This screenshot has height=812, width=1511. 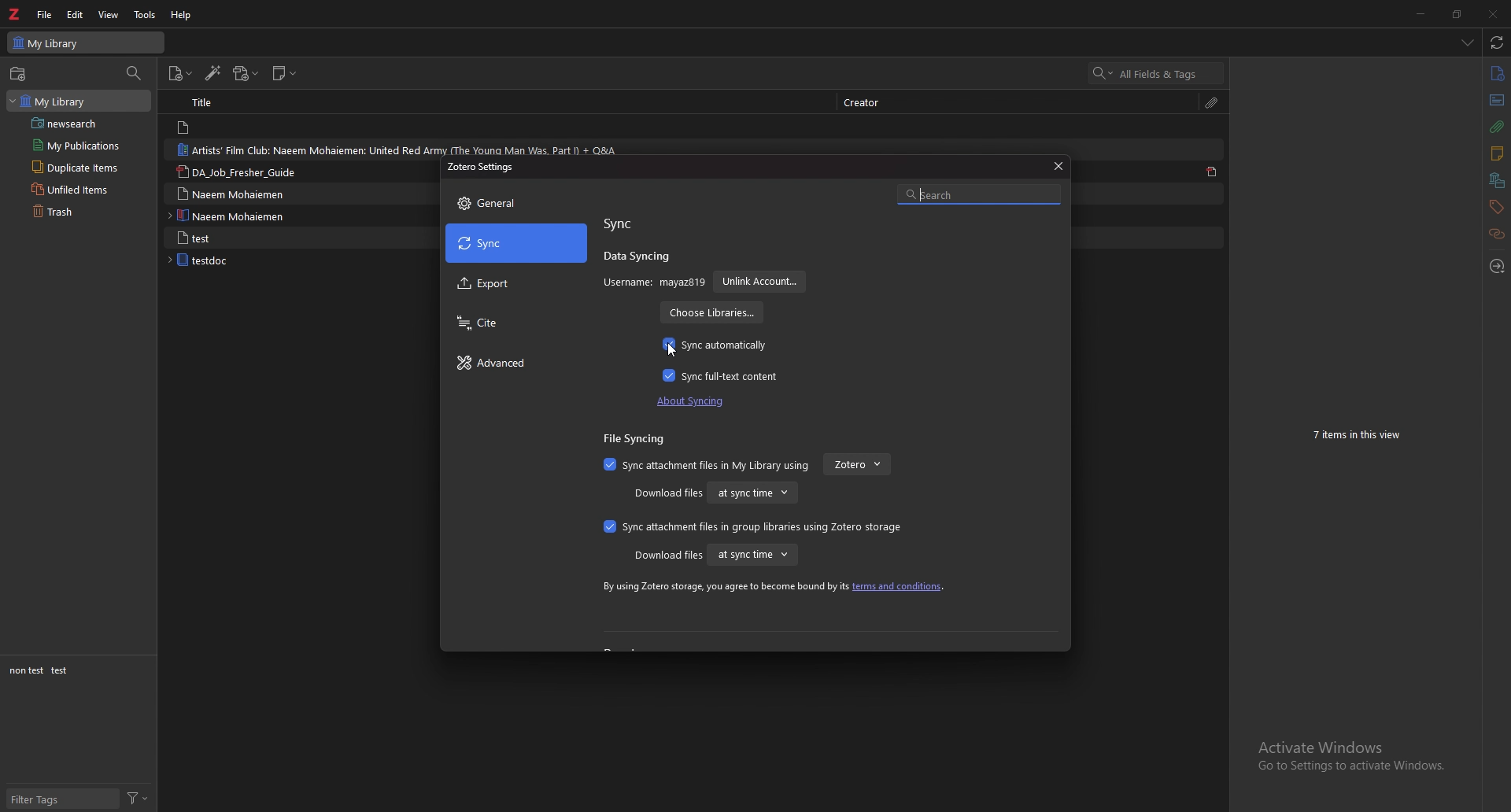 What do you see at coordinates (514, 323) in the screenshot?
I see `cite` at bounding box center [514, 323].